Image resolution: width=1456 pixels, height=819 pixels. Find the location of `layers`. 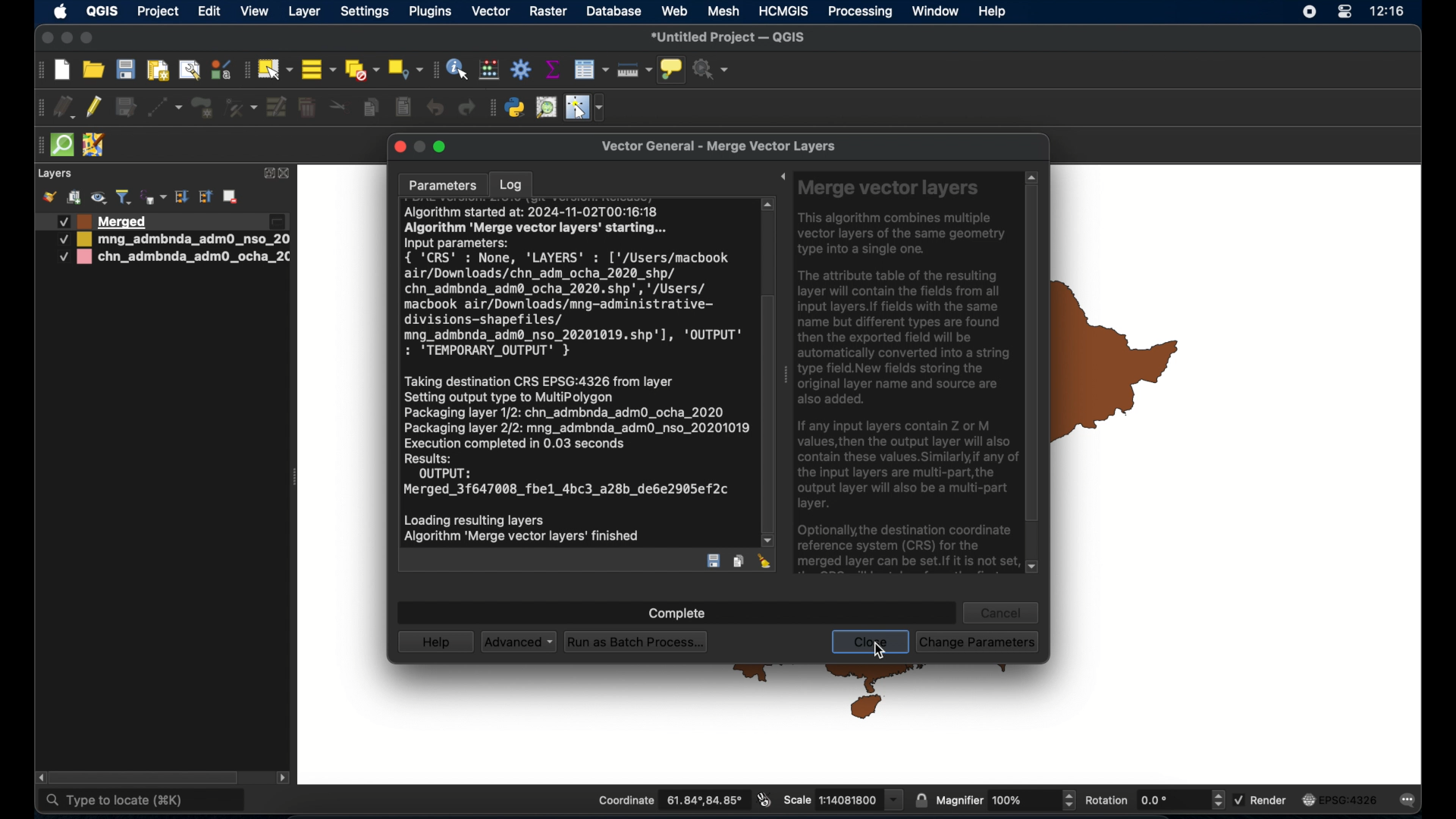

layers is located at coordinates (55, 174).